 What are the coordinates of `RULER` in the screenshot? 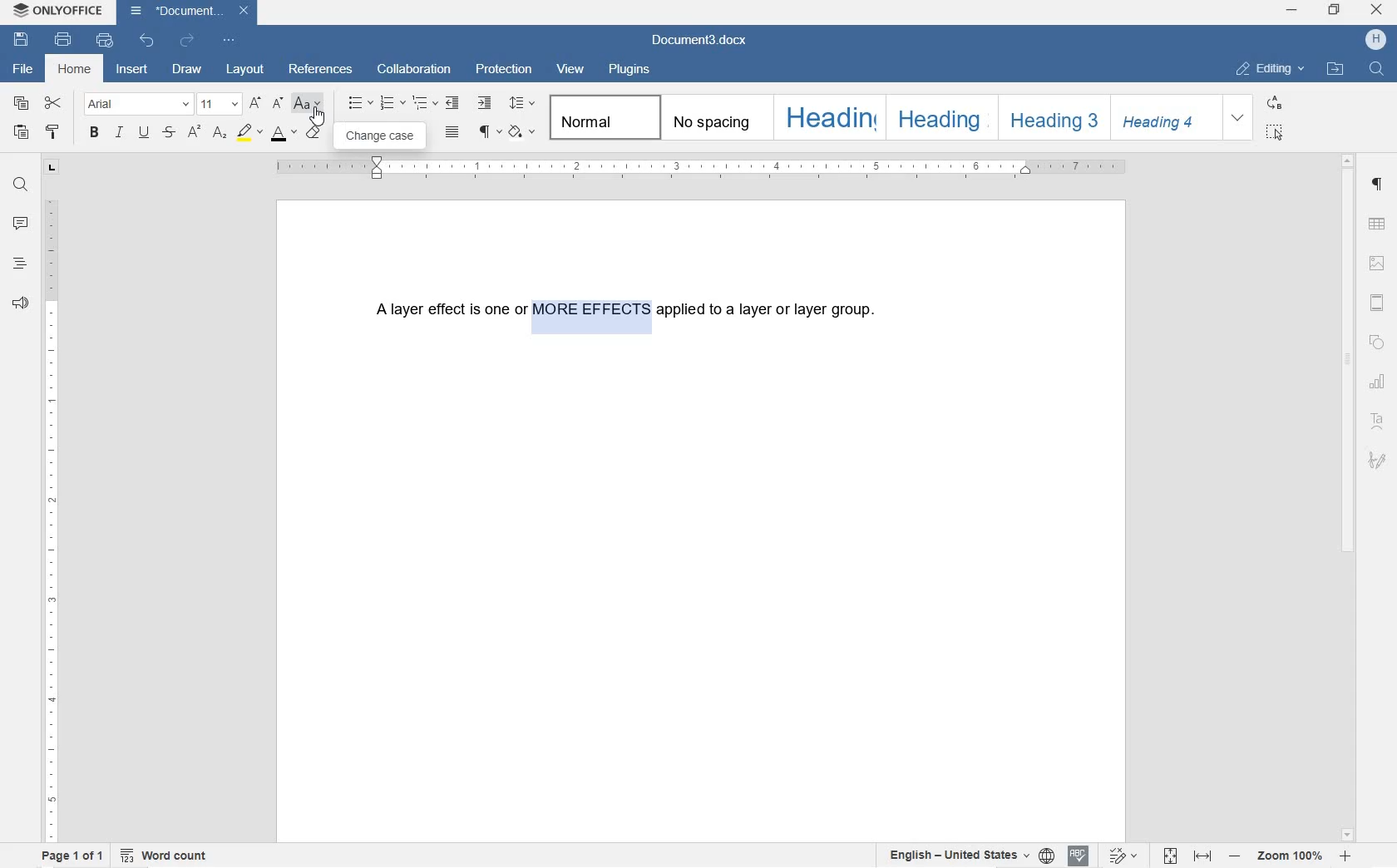 It's located at (702, 169).